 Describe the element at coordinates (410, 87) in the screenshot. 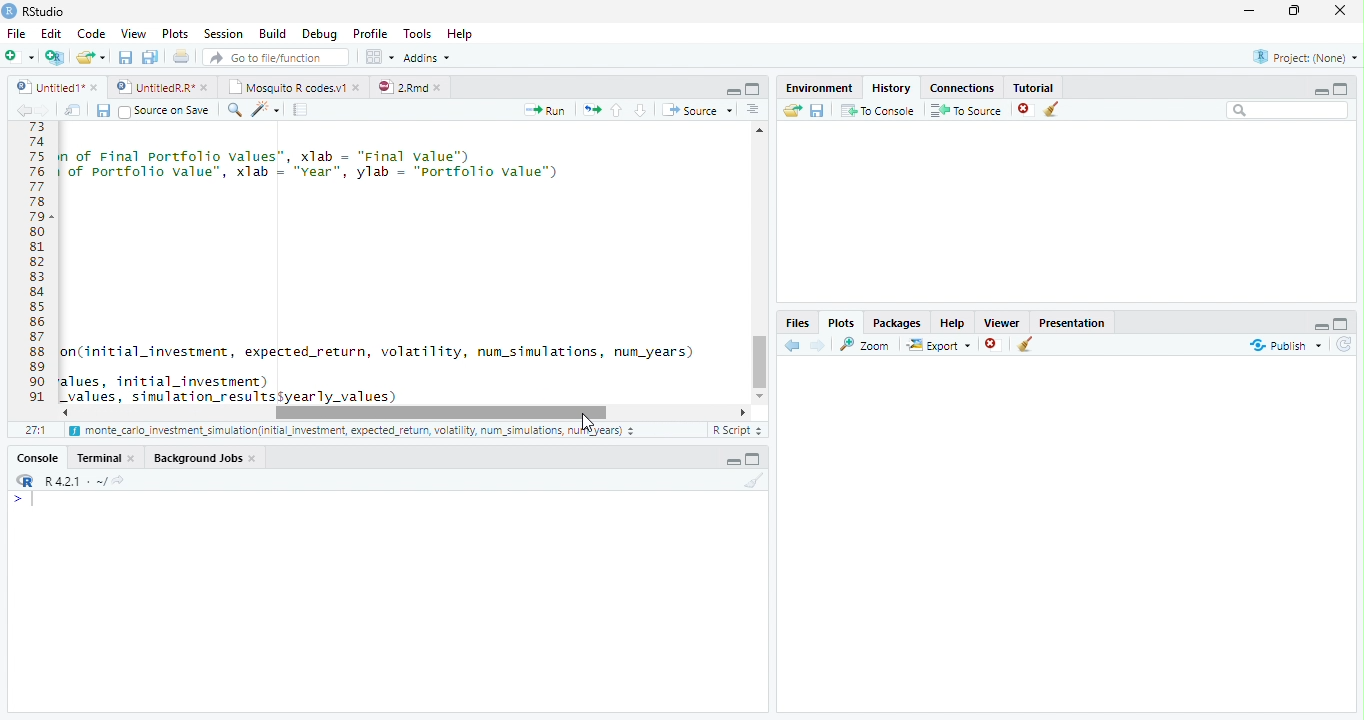

I see `2.Rmd` at that location.